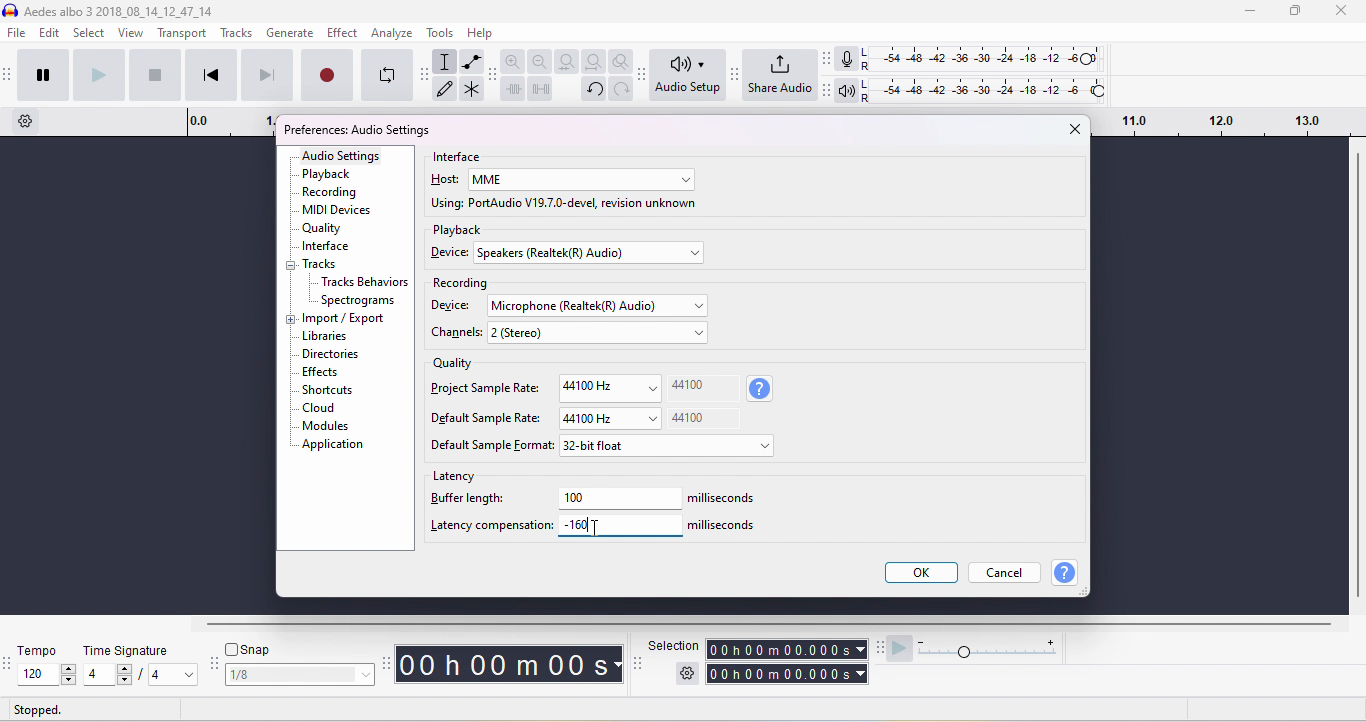 The width and height of the screenshot is (1366, 722). I want to click on import/export, so click(346, 319).